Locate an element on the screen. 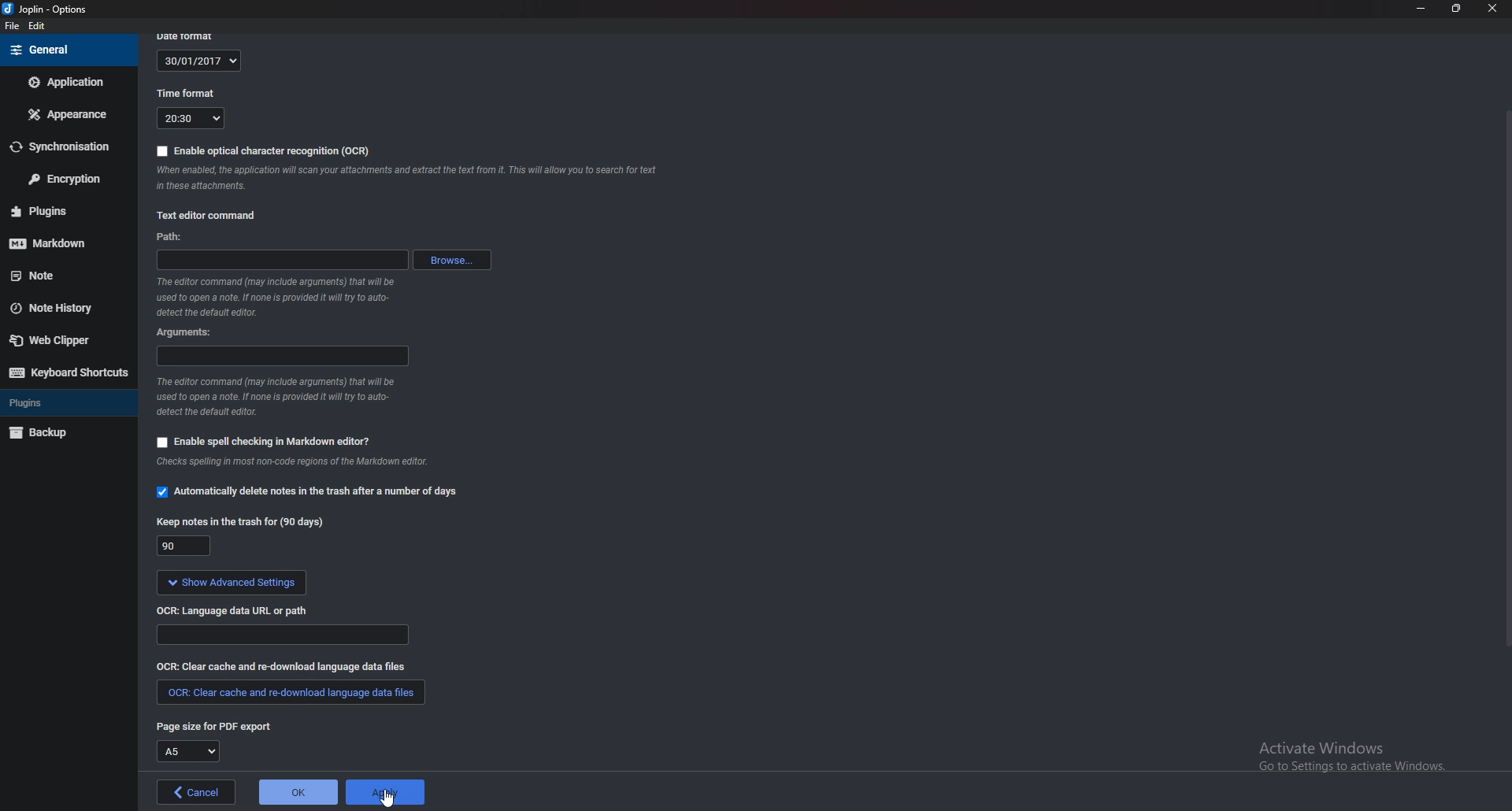 The height and width of the screenshot is (811, 1512). page size for pdf export is located at coordinates (213, 726).